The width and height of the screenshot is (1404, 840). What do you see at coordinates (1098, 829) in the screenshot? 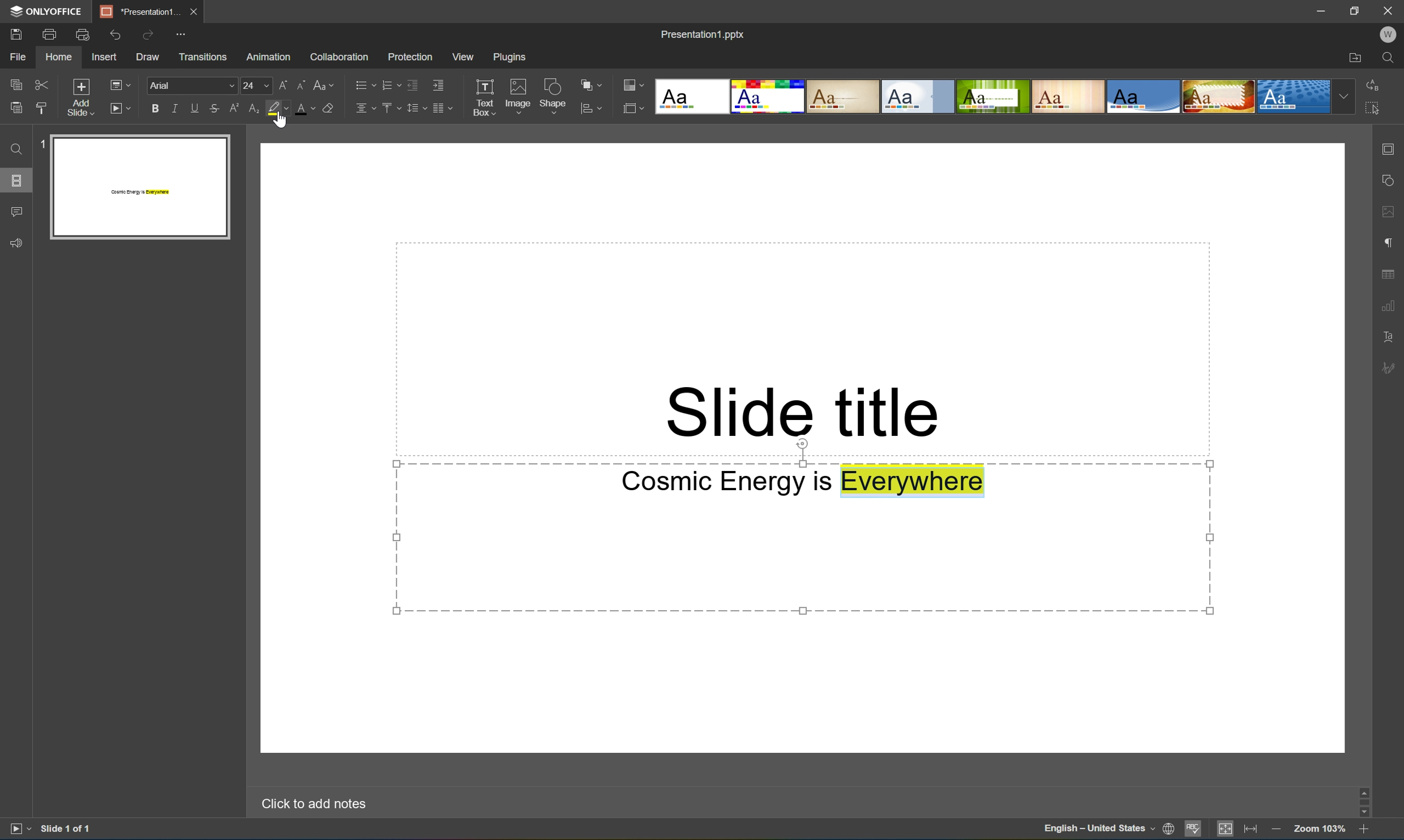
I see `English - United States` at bounding box center [1098, 829].